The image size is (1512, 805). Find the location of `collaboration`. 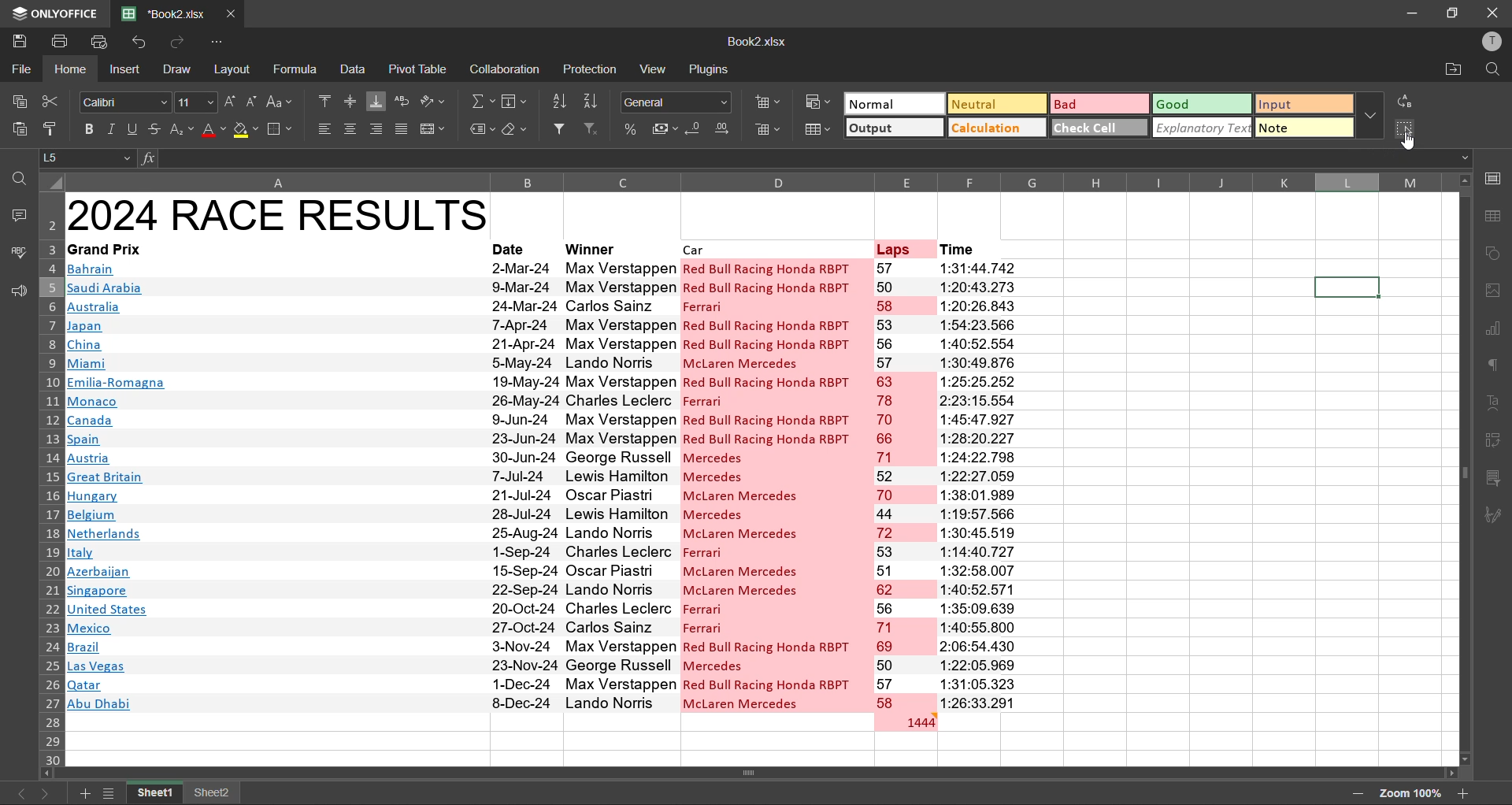

collaboration is located at coordinates (506, 70).